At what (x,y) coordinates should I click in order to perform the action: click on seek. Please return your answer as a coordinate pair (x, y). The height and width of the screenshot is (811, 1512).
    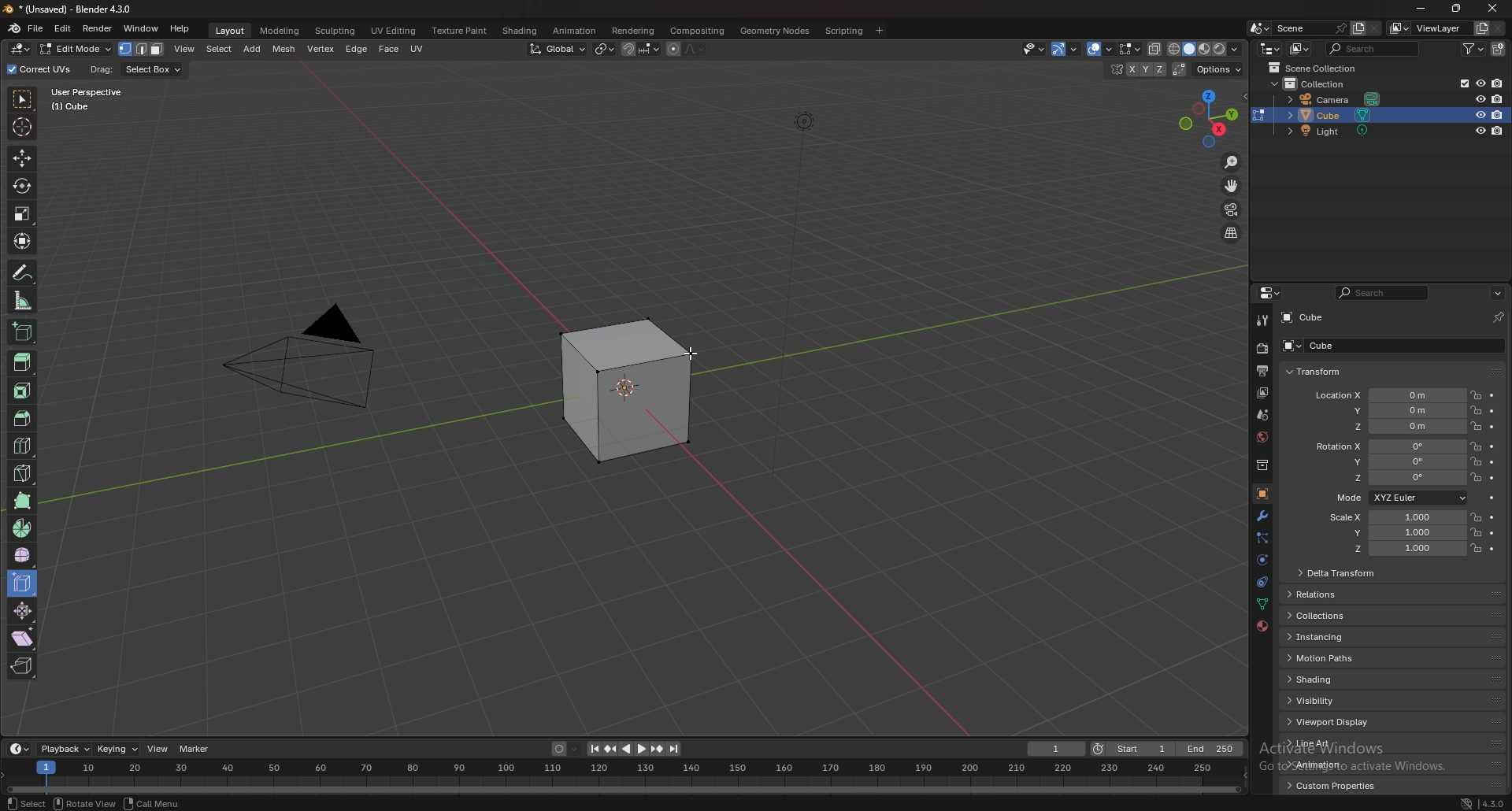
    Looking at the image, I should click on (621, 777).